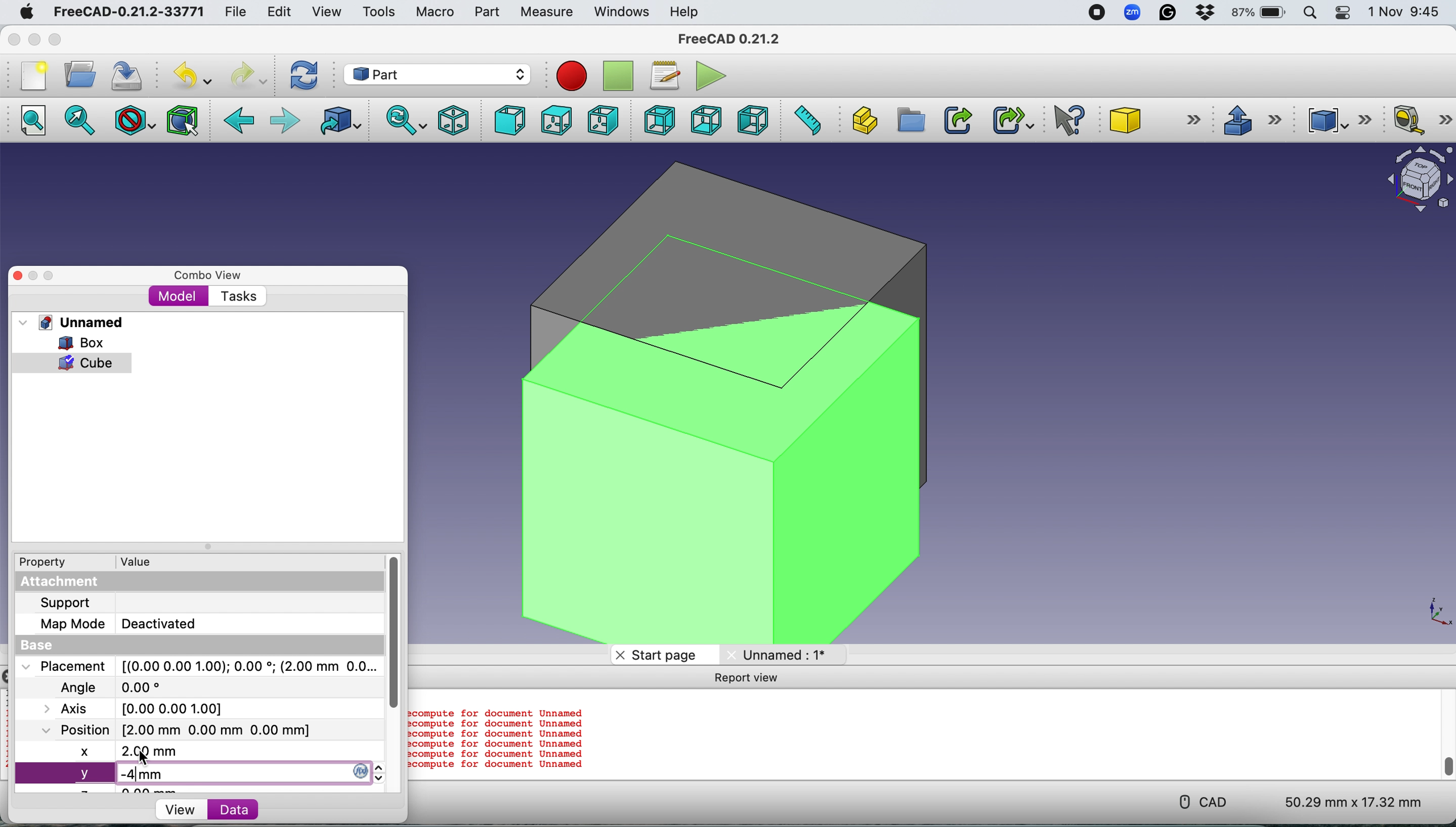 This screenshot has height=827, width=1456. Describe the element at coordinates (177, 809) in the screenshot. I see `View` at that location.